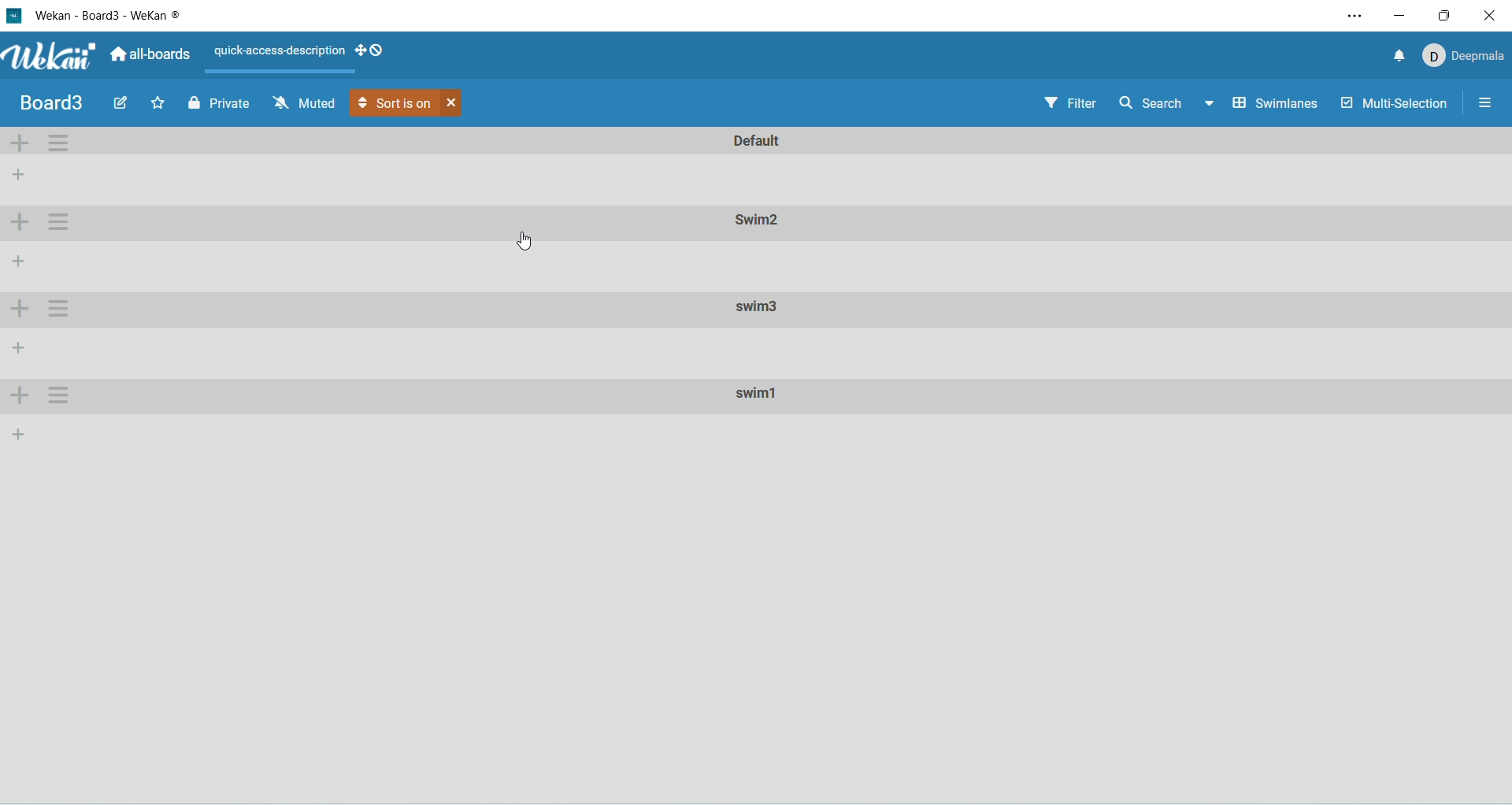 The image size is (1512, 805). What do you see at coordinates (16, 18) in the screenshot?
I see `logo` at bounding box center [16, 18].